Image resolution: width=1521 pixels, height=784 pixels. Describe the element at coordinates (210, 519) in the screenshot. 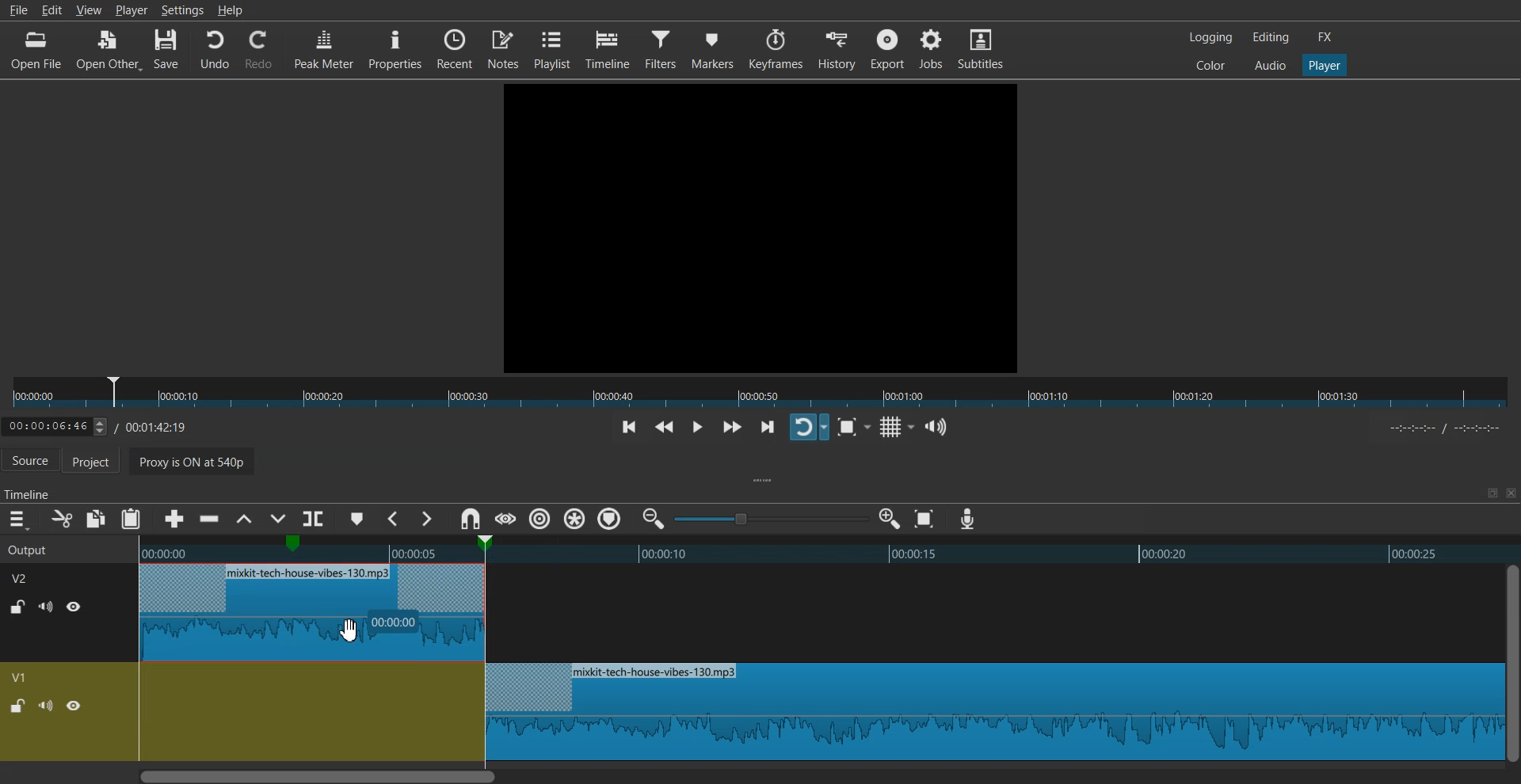

I see `Ripple delete` at that location.